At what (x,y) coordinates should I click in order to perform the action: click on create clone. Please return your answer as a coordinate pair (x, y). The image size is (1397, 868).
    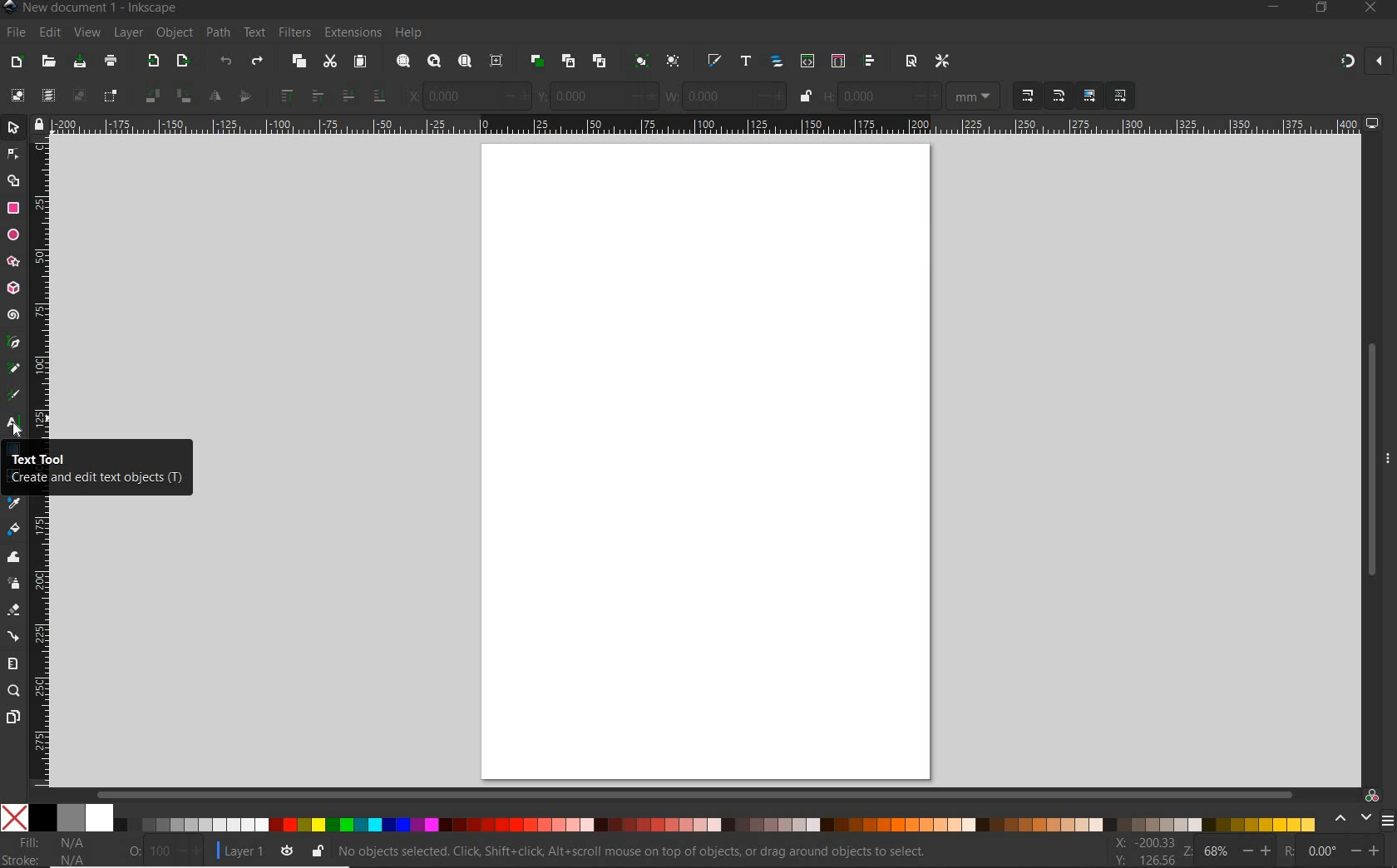
    Looking at the image, I should click on (566, 62).